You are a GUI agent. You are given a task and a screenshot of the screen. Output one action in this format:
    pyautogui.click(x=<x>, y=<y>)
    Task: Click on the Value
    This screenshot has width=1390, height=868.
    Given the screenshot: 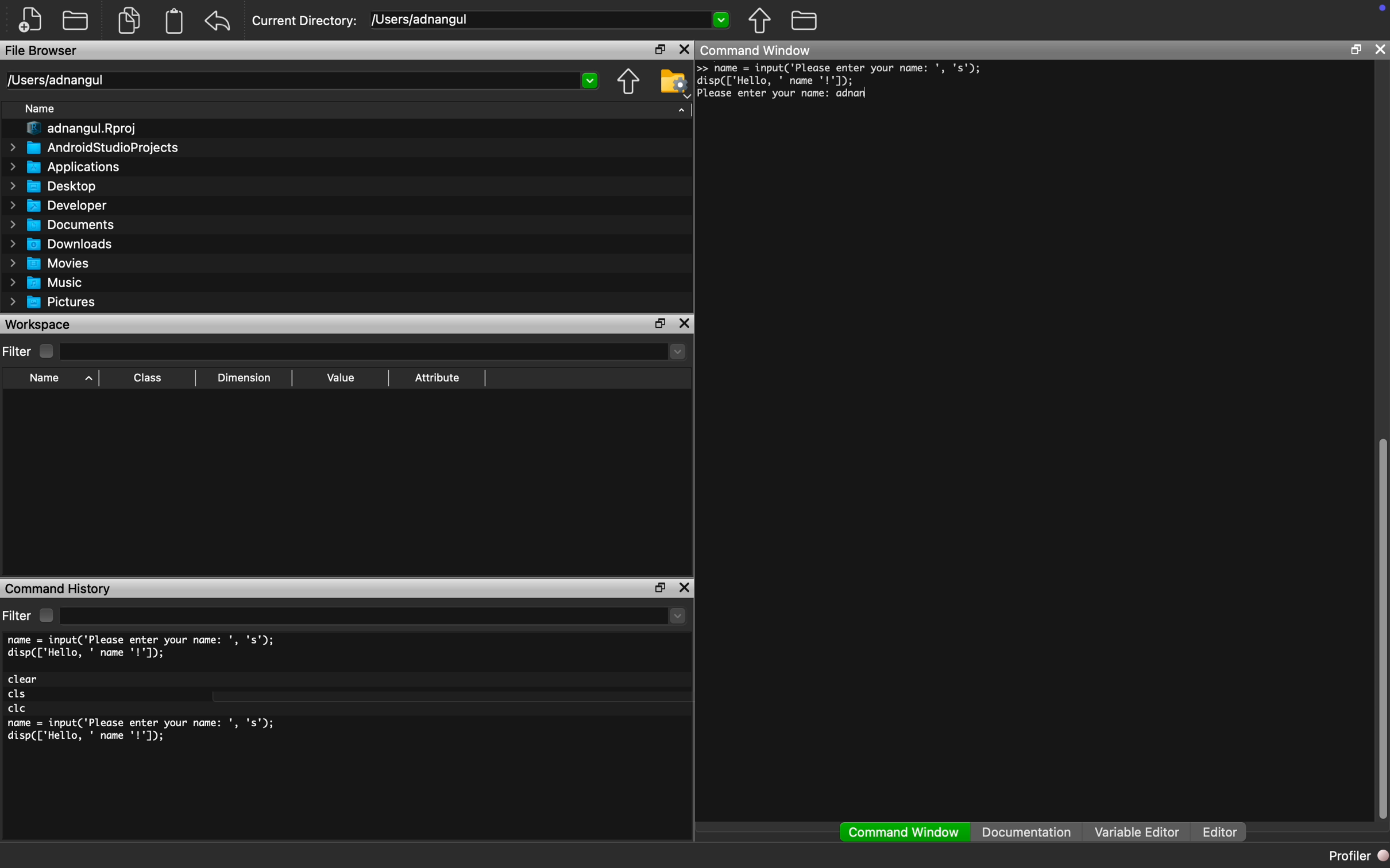 What is the action you would take?
    pyautogui.click(x=341, y=377)
    